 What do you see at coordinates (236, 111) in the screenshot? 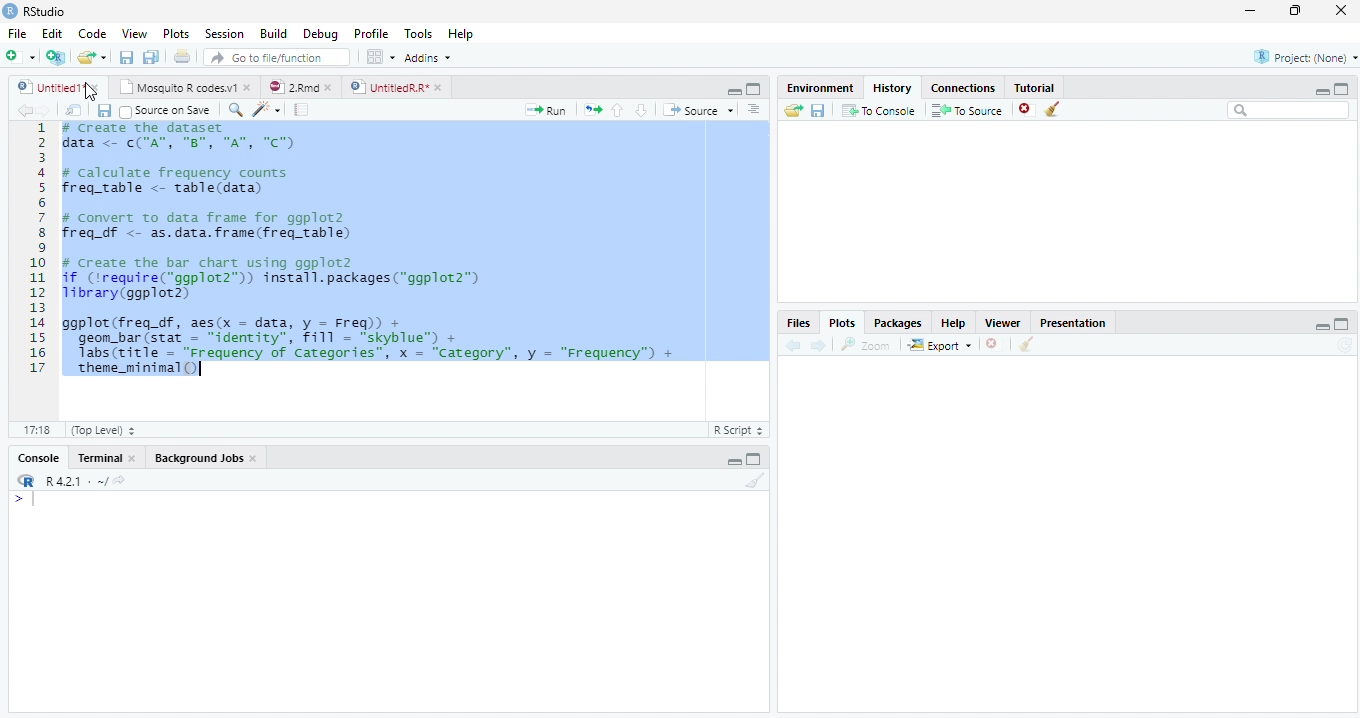
I see `Zoom` at bounding box center [236, 111].